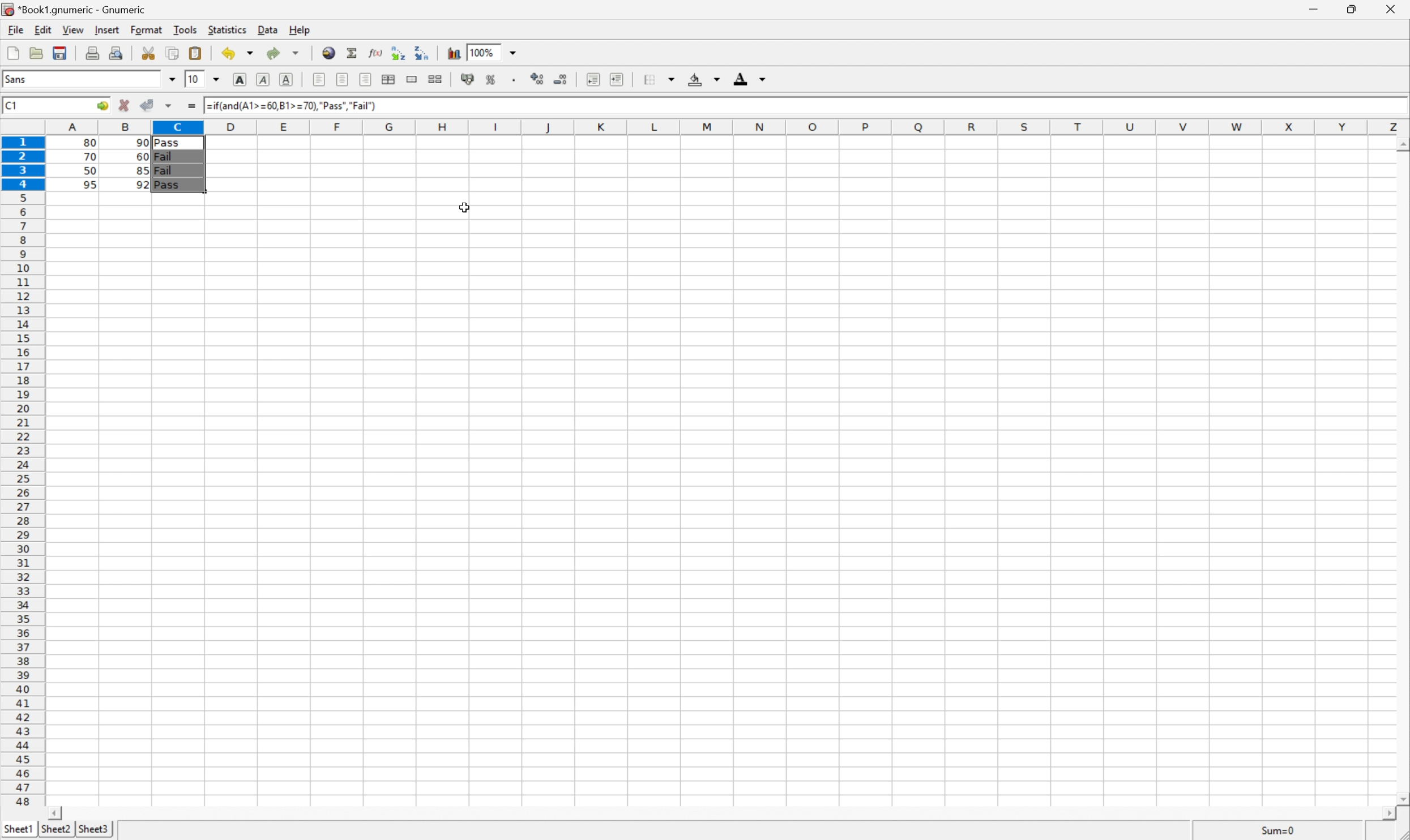 The image size is (1410, 840). What do you see at coordinates (93, 140) in the screenshot?
I see `80` at bounding box center [93, 140].